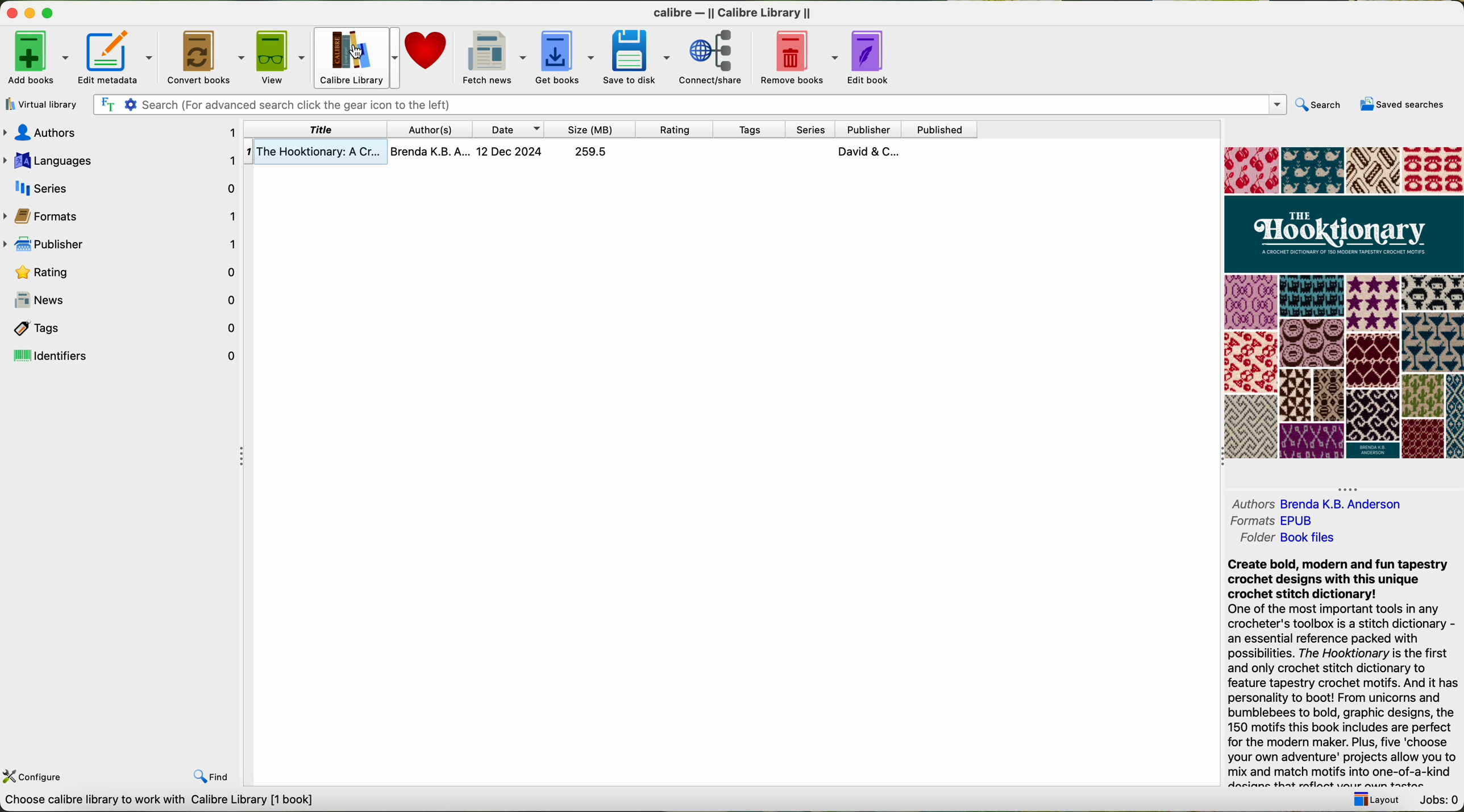 This screenshot has width=1464, height=812. What do you see at coordinates (753, 128) in the screenshot?
I see `tags` at bounding box center [753, 128].